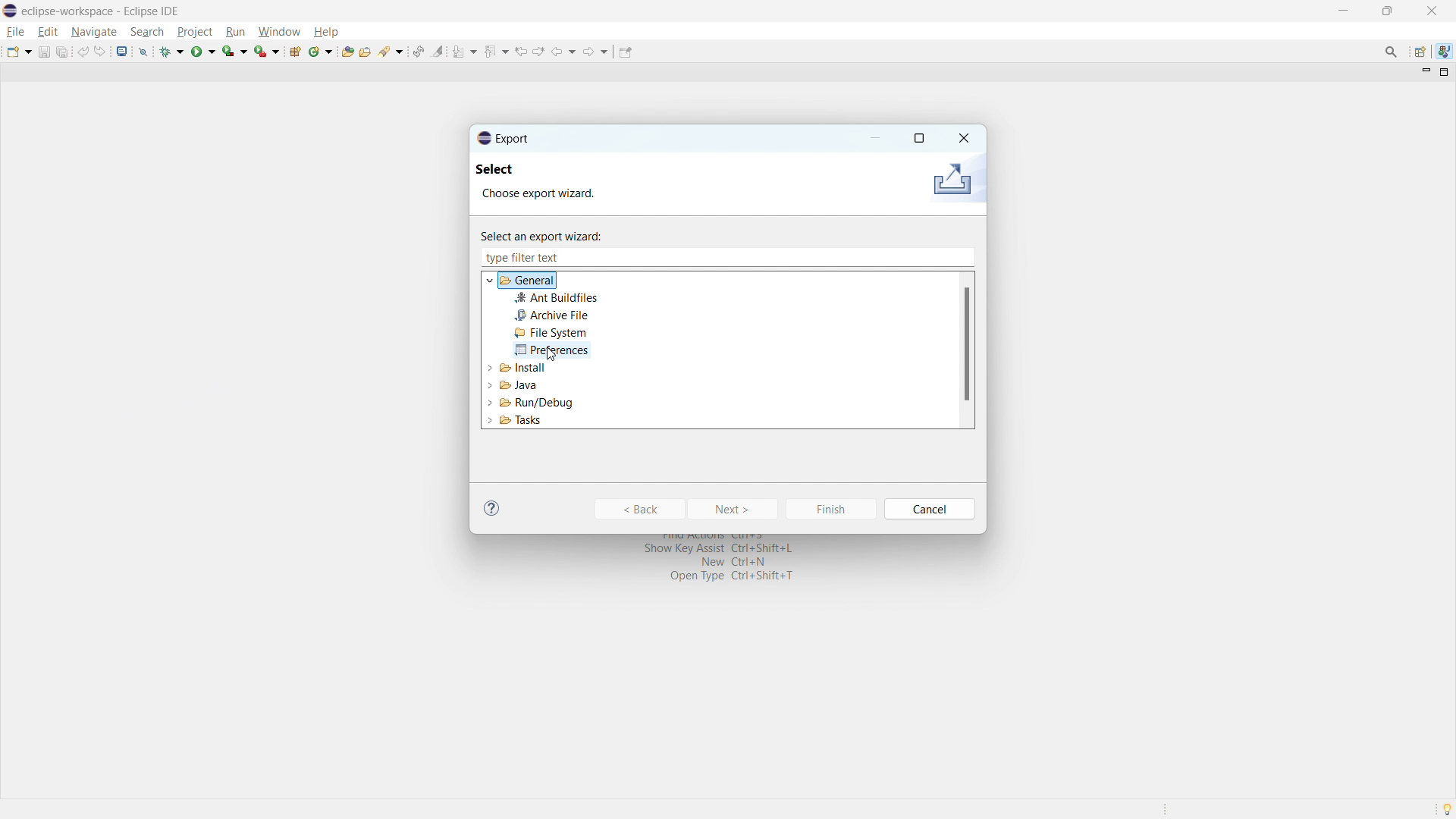 Image resolution: width=1456 pixels, height=819 pixels. What do you see at coordinates (966, 257) in the screenshot?
I see `close` at bounding box center [966, 257].